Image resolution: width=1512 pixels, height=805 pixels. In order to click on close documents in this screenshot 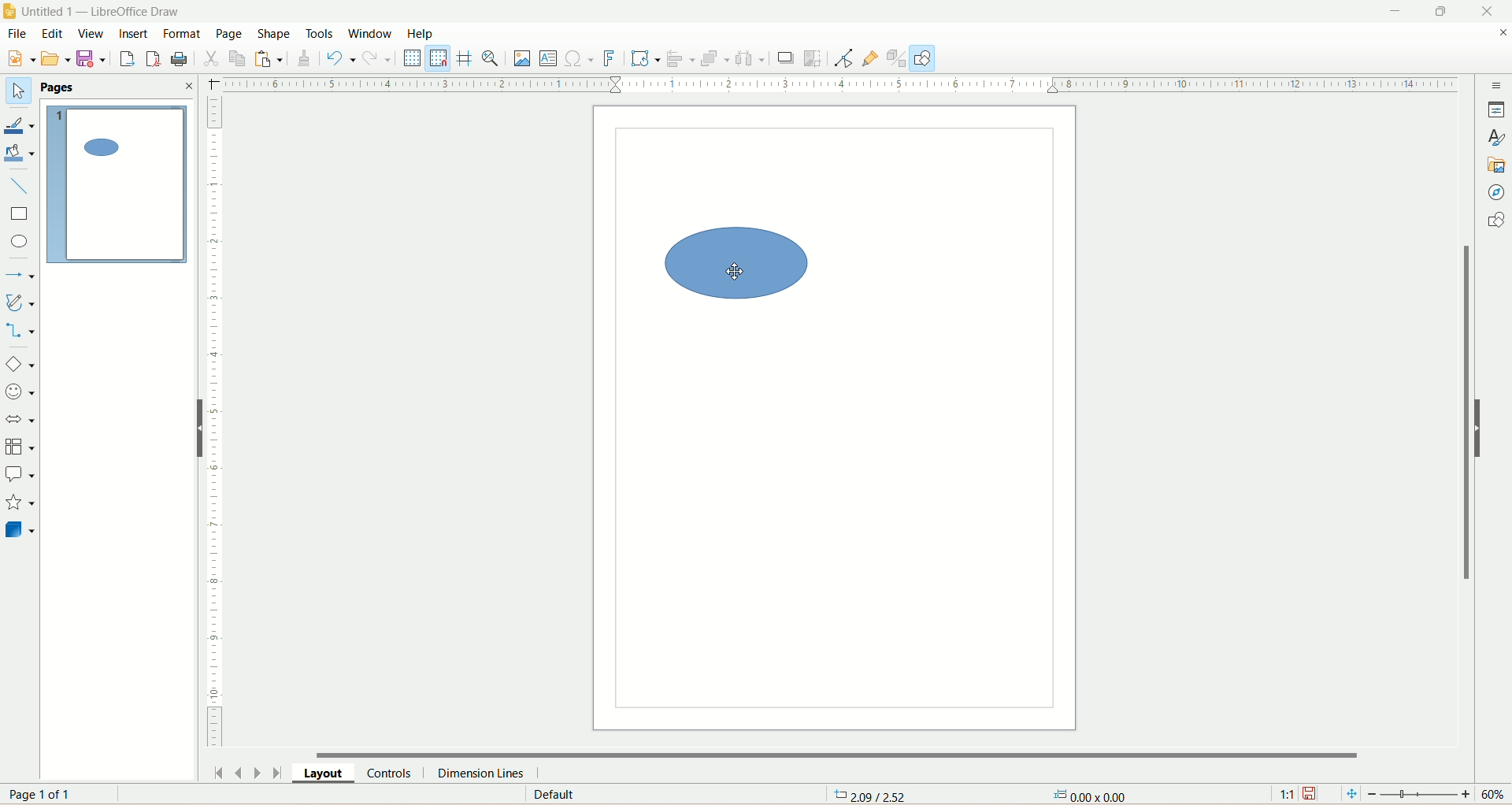, I will do `click(1503, 34)`.